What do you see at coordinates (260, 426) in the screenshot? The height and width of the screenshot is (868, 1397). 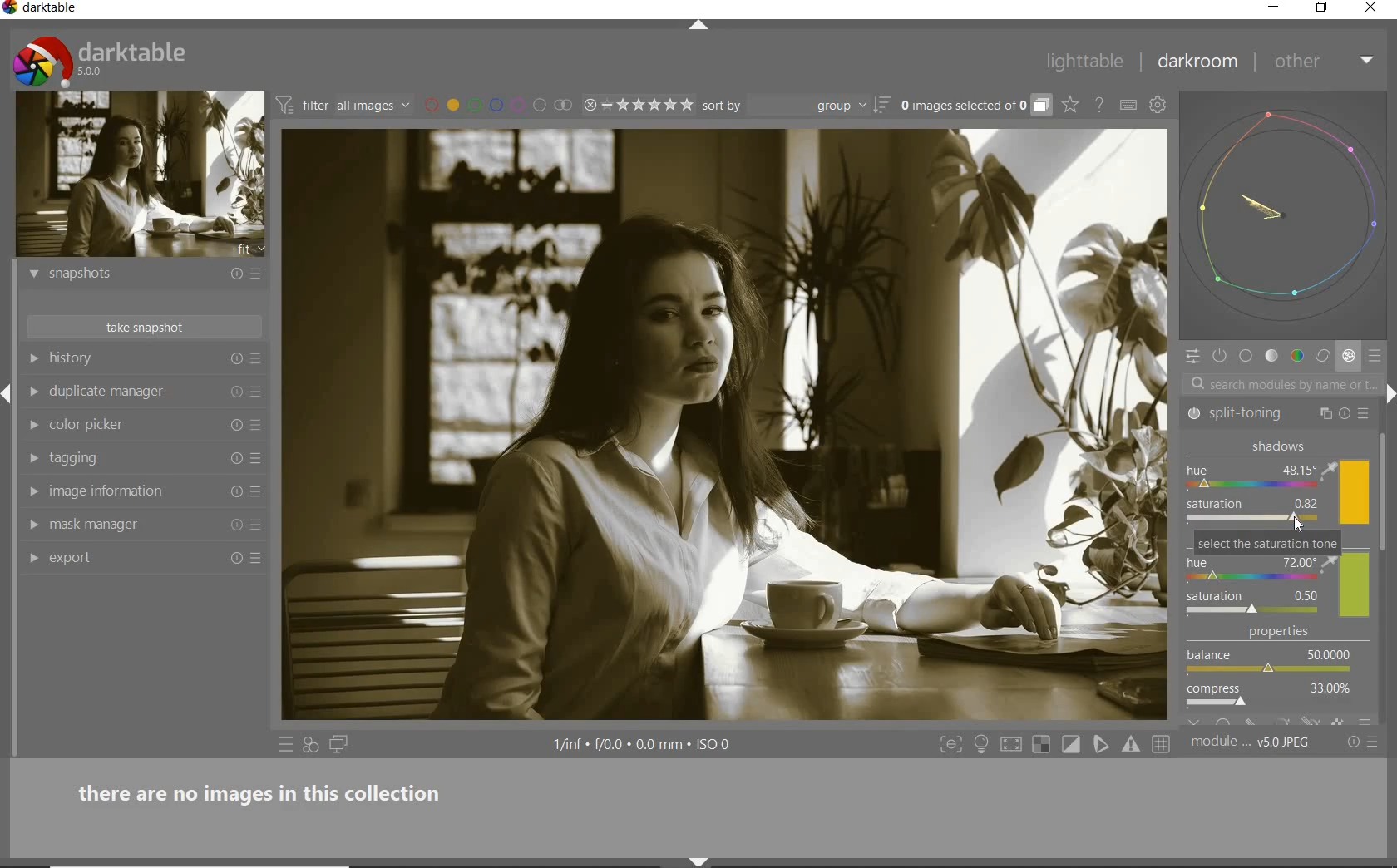 I see `preset and preferences` at bounding box center [260, 426].